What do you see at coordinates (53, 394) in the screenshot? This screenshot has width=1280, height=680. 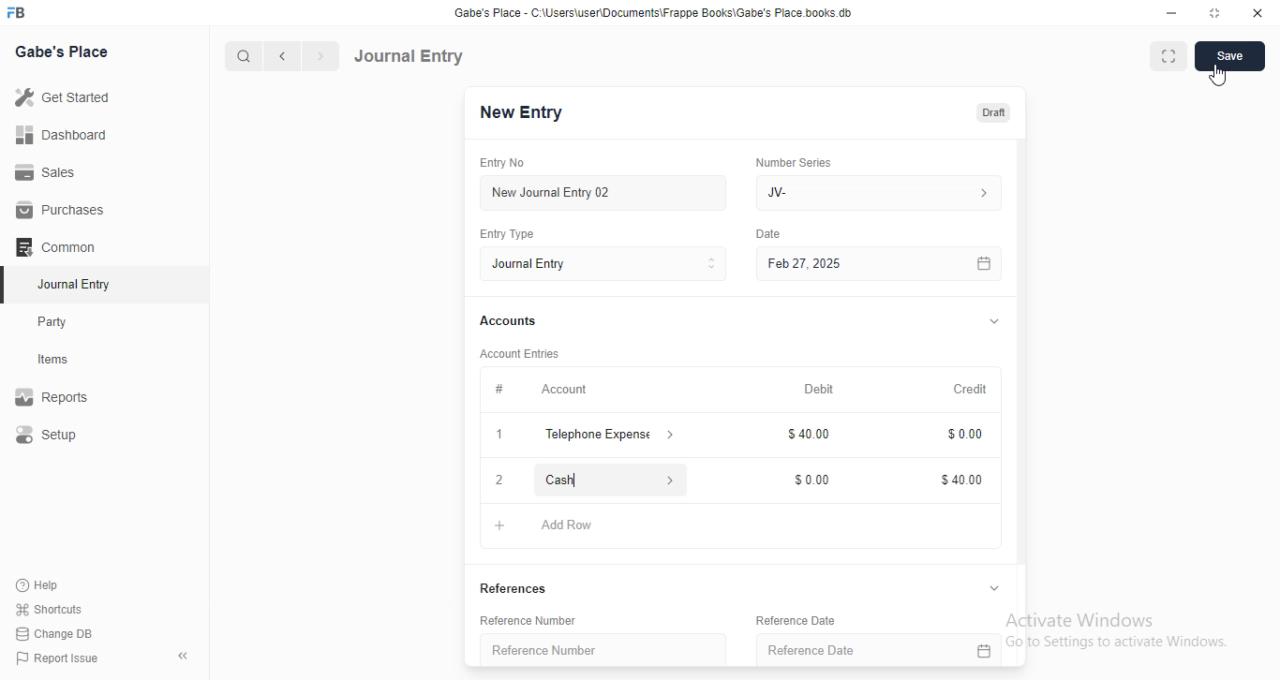 I see `Reports` at bounding box center [53, 394].